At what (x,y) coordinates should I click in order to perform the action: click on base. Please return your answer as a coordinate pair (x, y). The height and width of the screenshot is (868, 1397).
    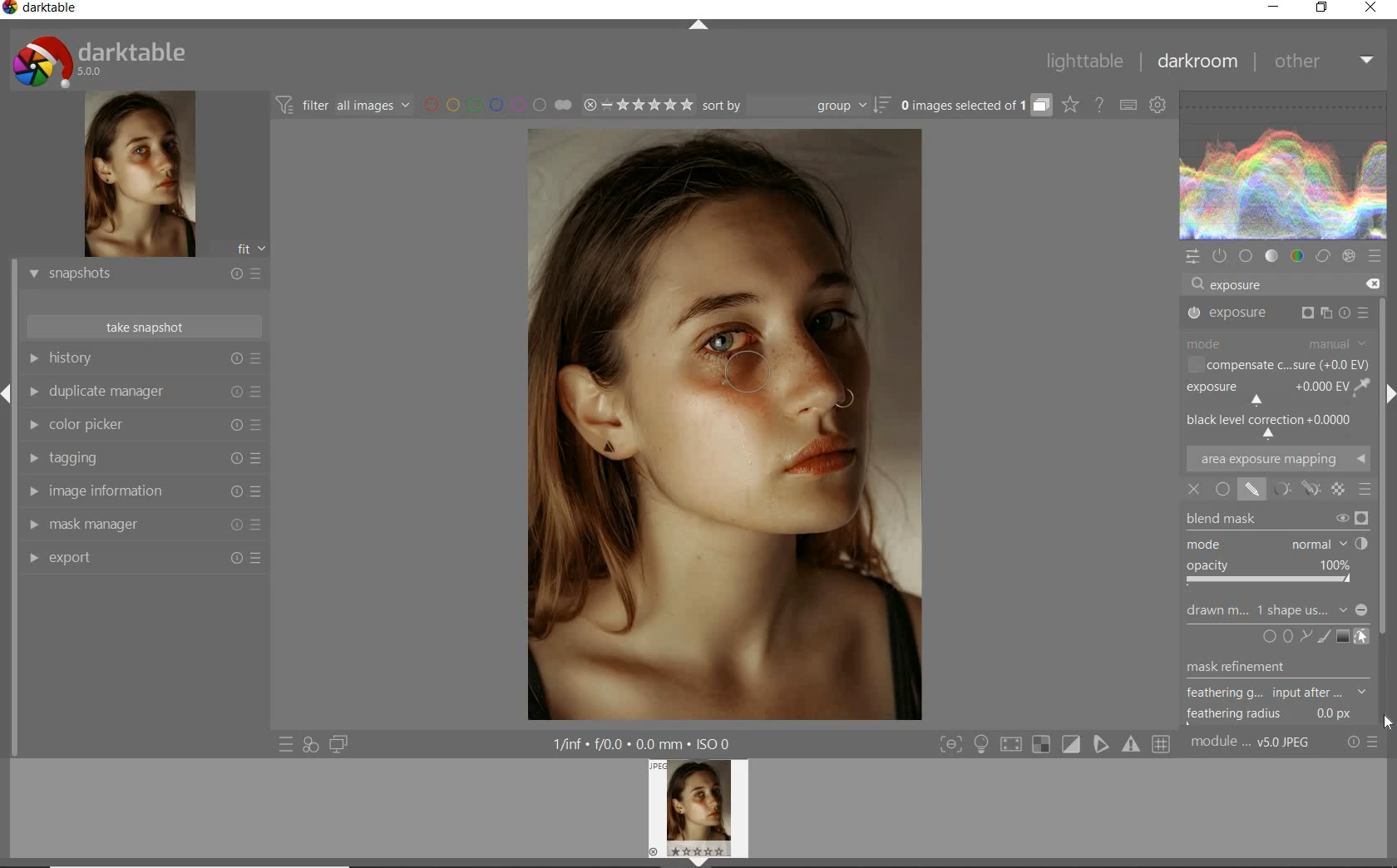
    Looking at the image, I should click on (1246, 256).